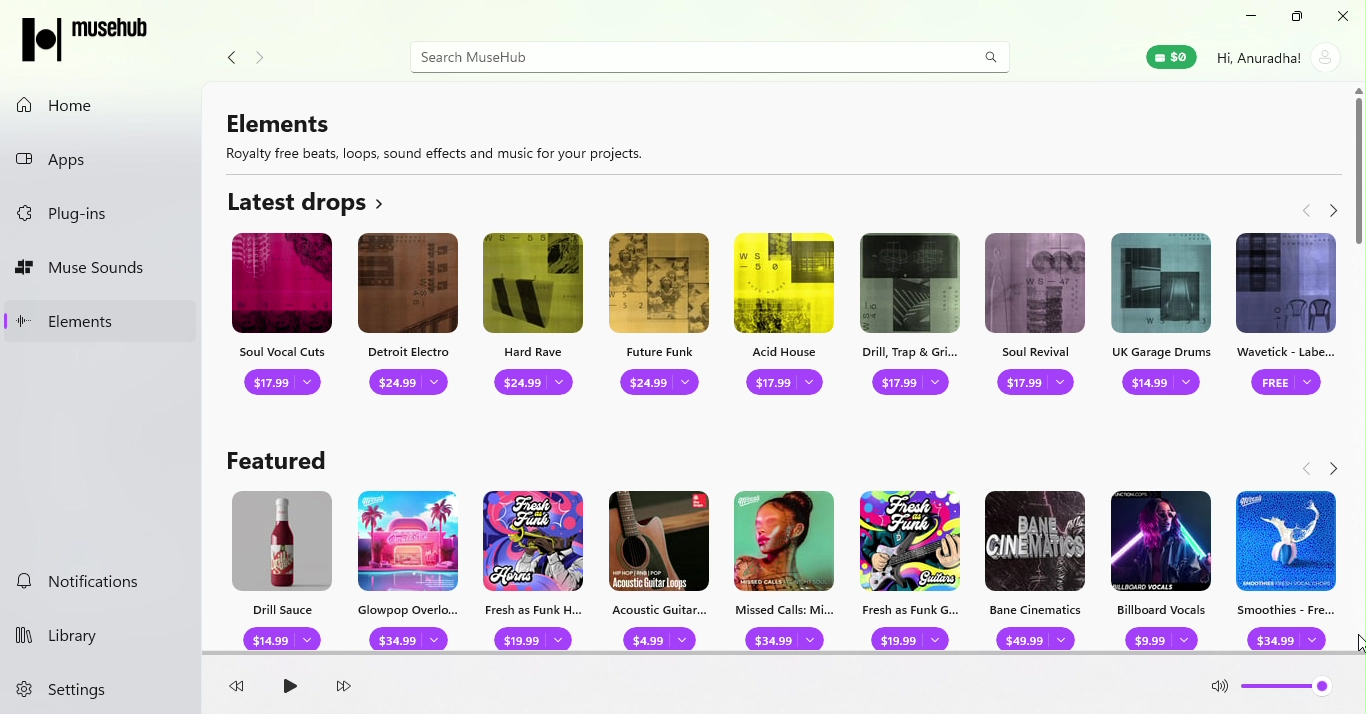 The height and width of the screenshot is (714, 1366). Describe the element at coordinates (786, 568) in the screenshot. I see `Missed calls: Midnight soul` at that location.